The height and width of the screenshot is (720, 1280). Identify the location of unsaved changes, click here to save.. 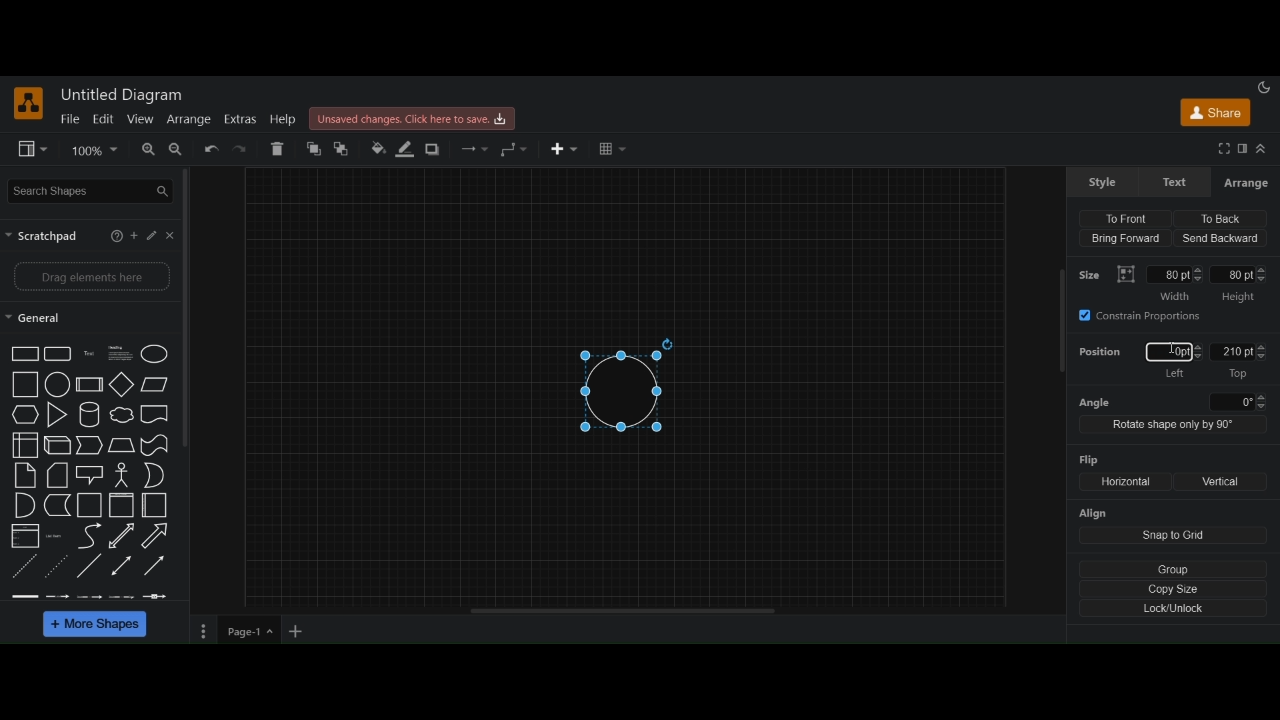
(415, 119).